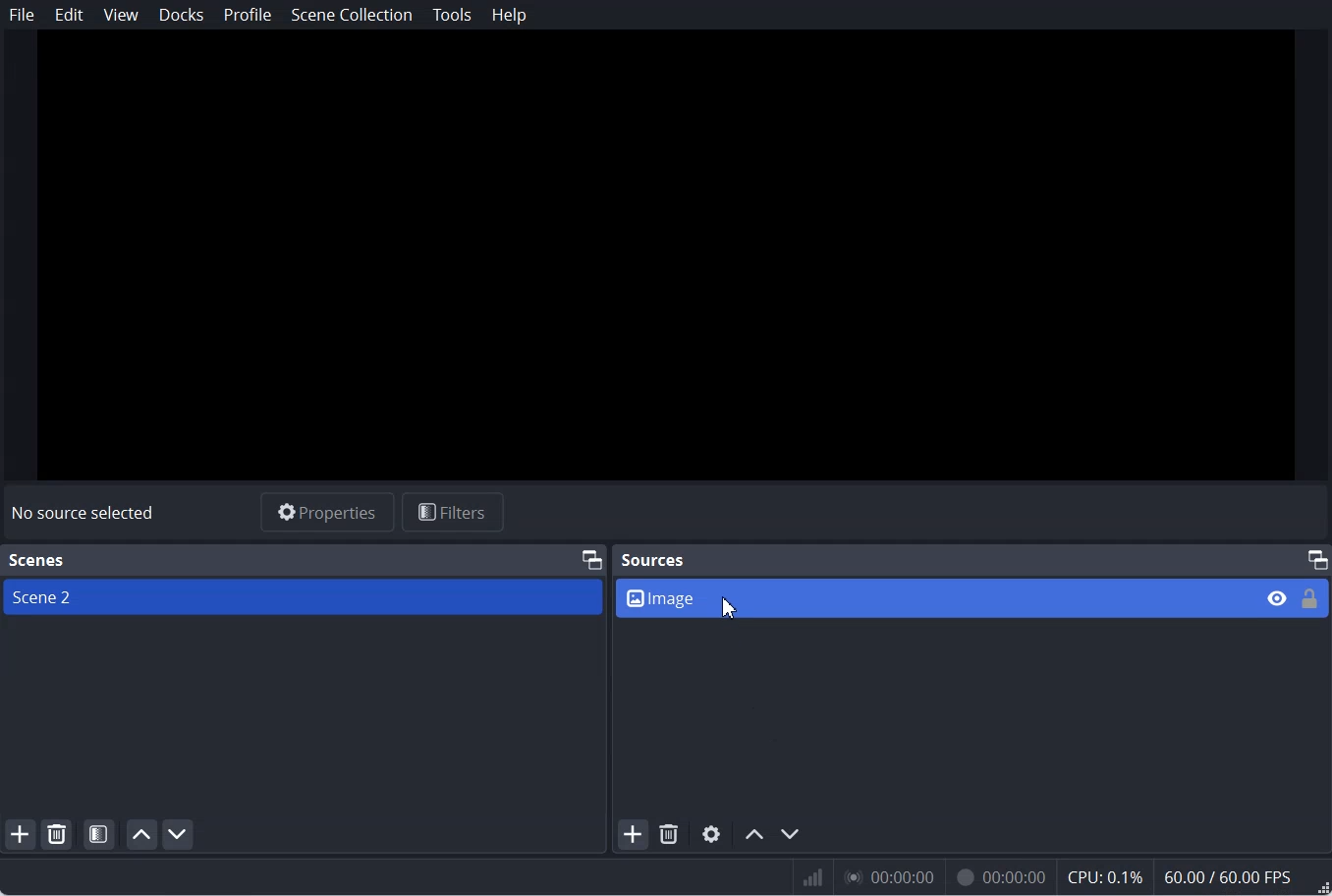  What do you see at coordinates (792, 833) in the screenshot?
I see `Move source down` at bounding box center [792, 833].